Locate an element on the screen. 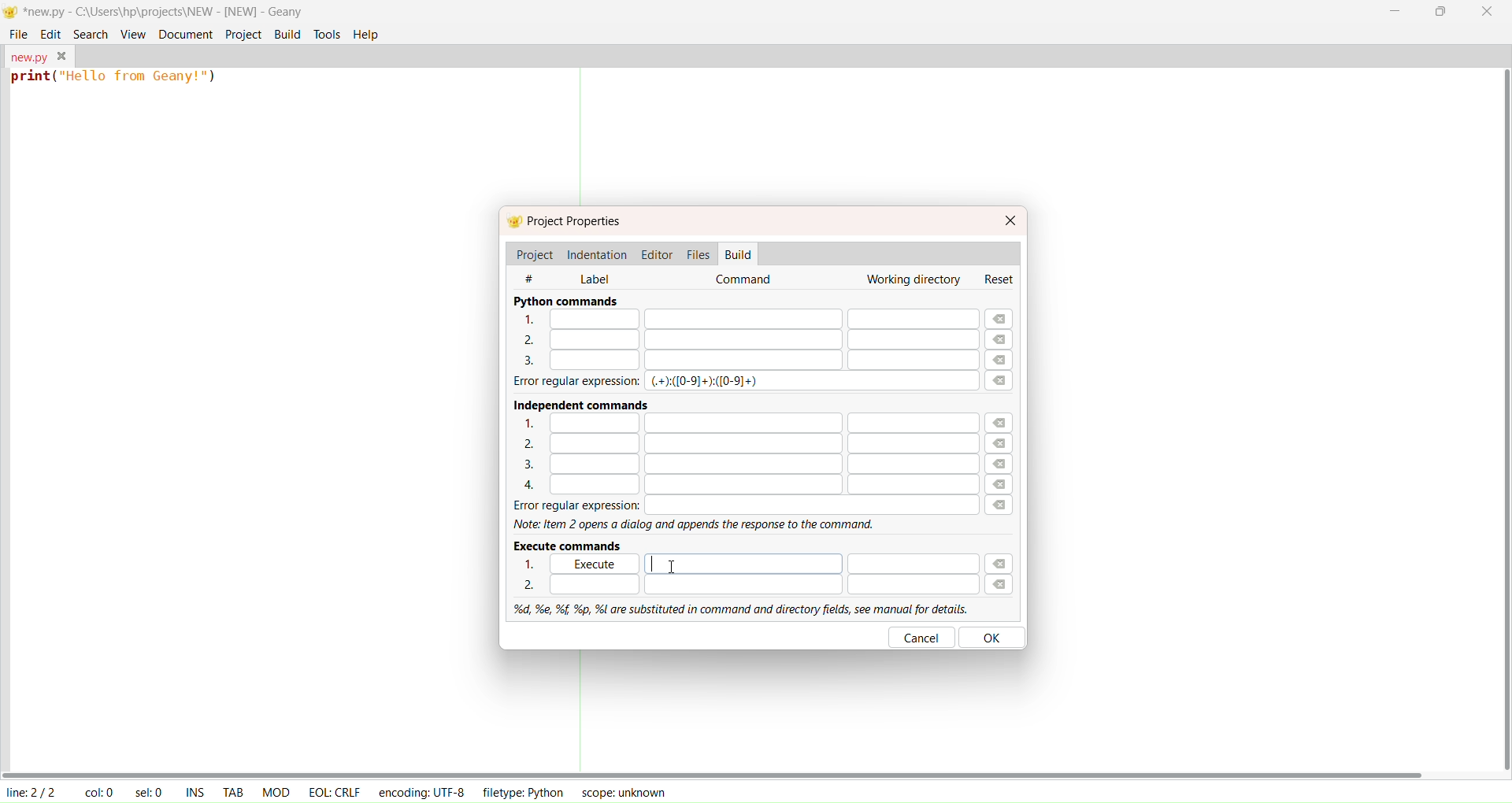  editor is located at coordinates (658, 253).